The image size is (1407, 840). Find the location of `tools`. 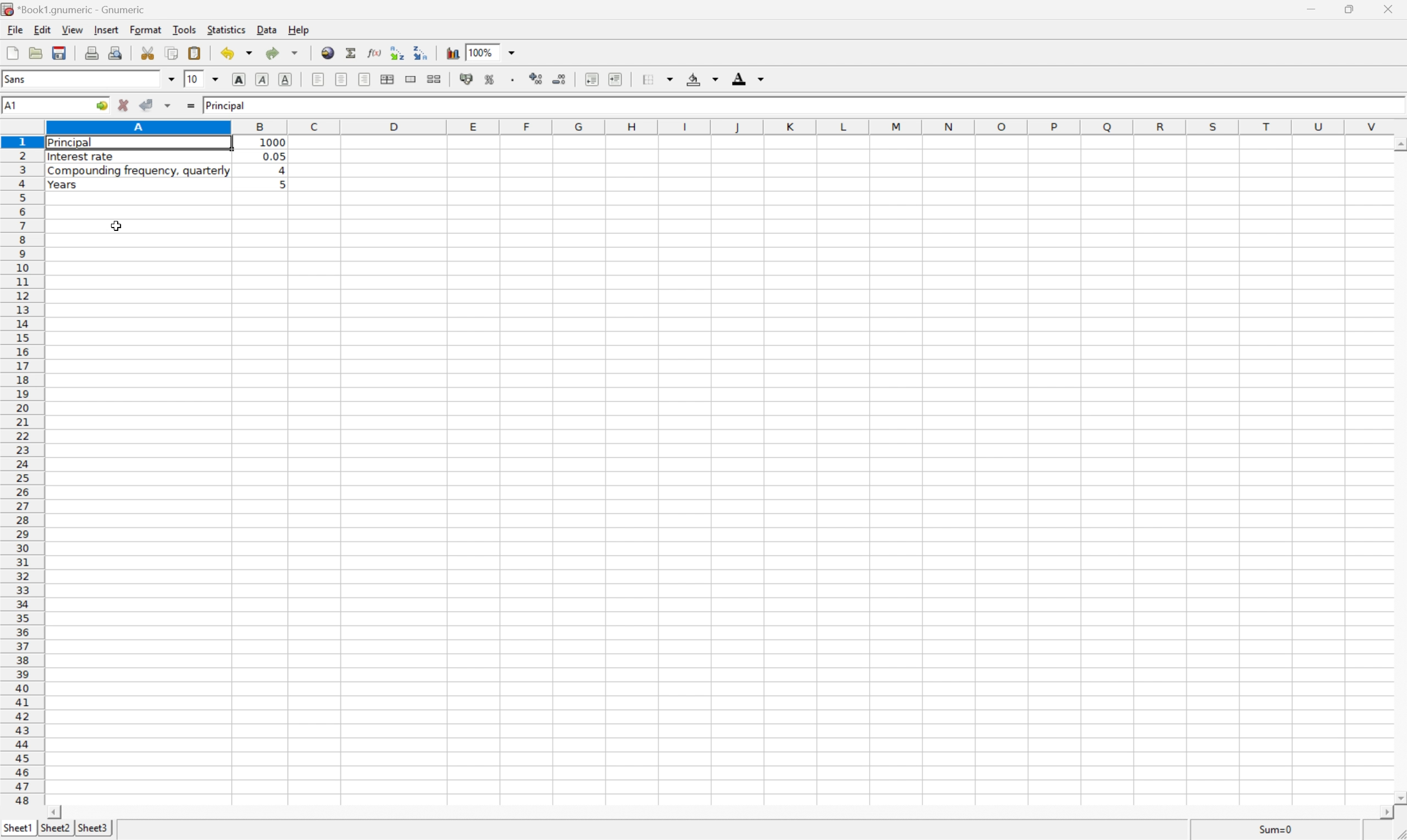

tools is located at coordinates (185, 29).